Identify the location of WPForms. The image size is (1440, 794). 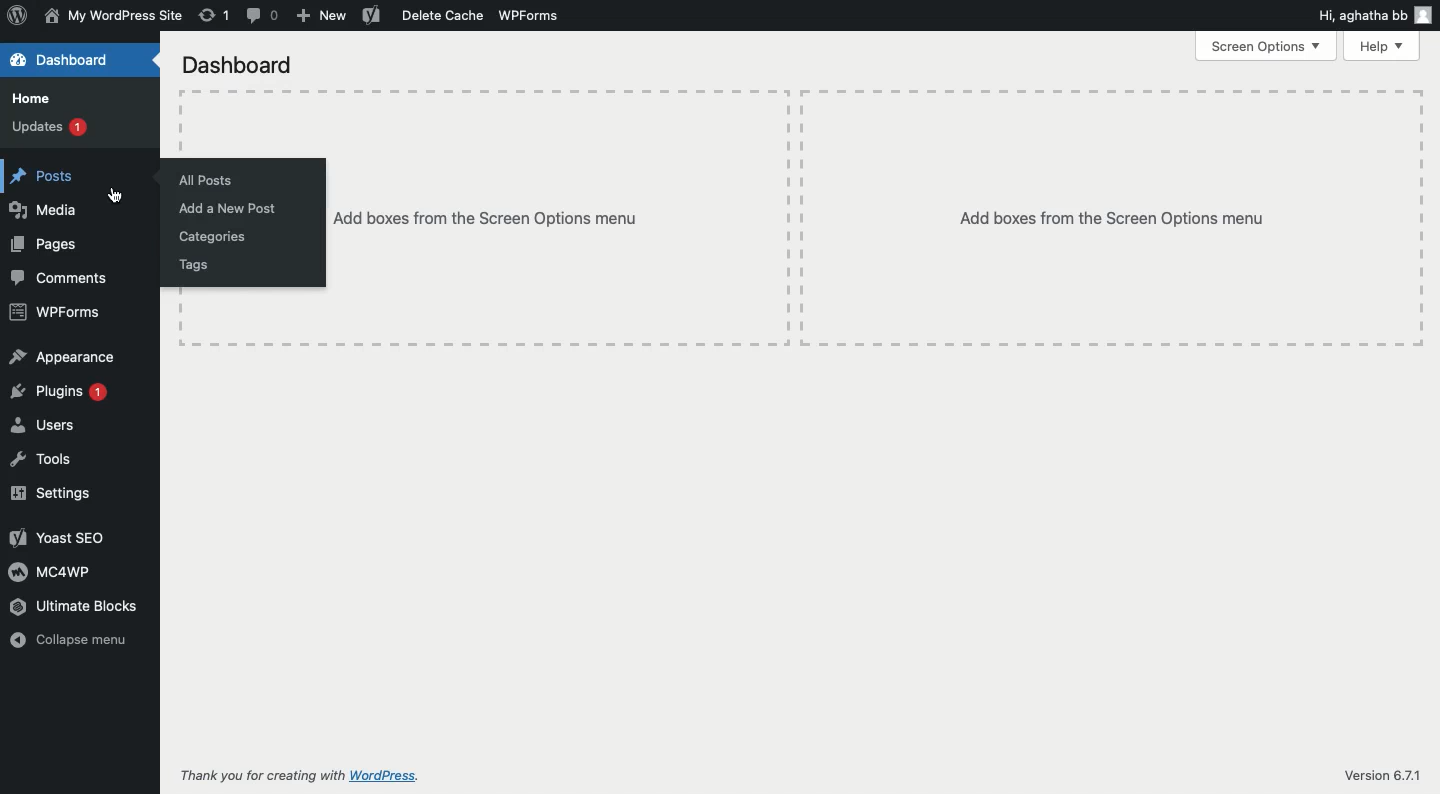
(530, 16).